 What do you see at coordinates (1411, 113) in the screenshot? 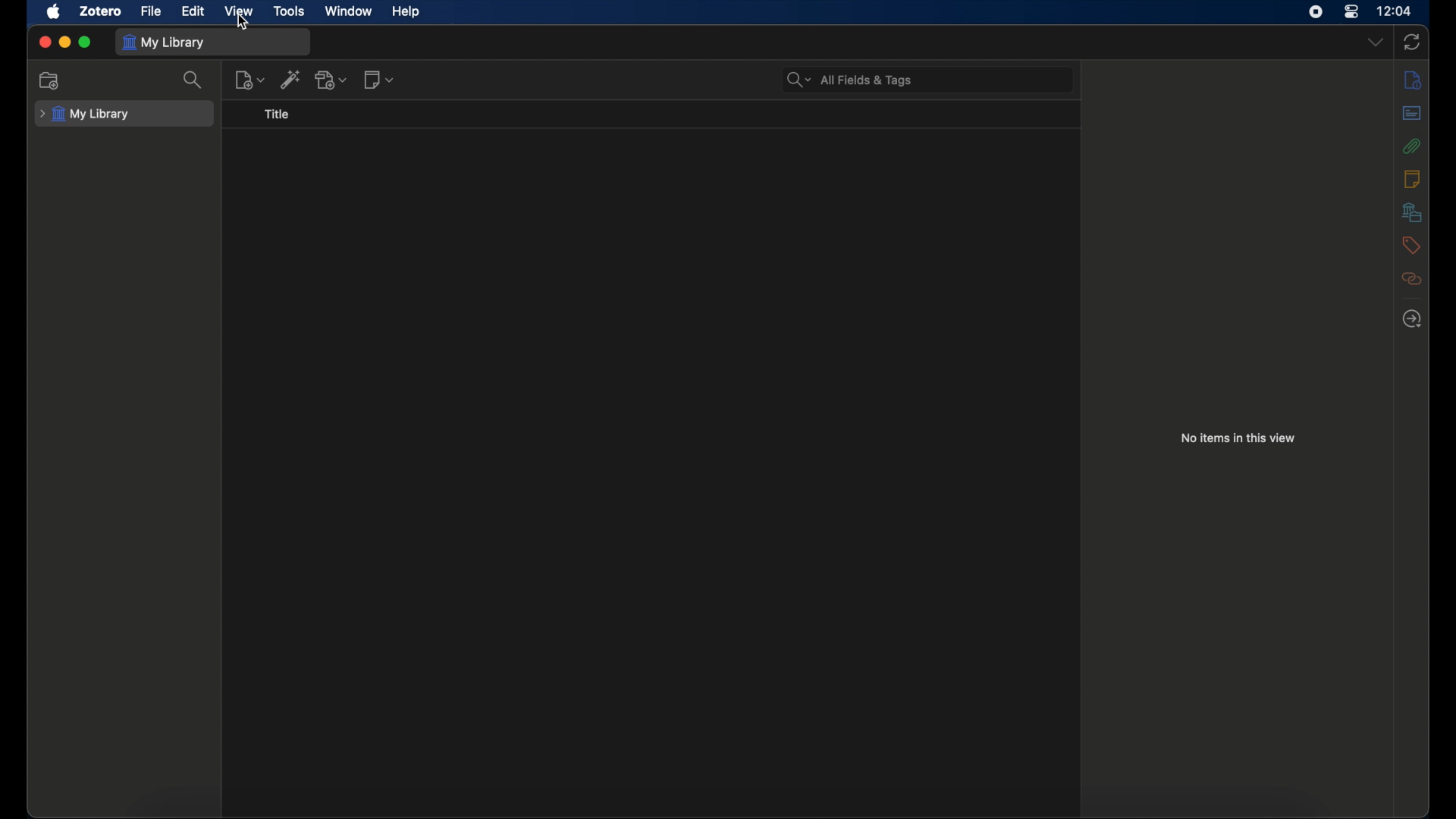
I see `abstract` at bounding box center [1411, 113].